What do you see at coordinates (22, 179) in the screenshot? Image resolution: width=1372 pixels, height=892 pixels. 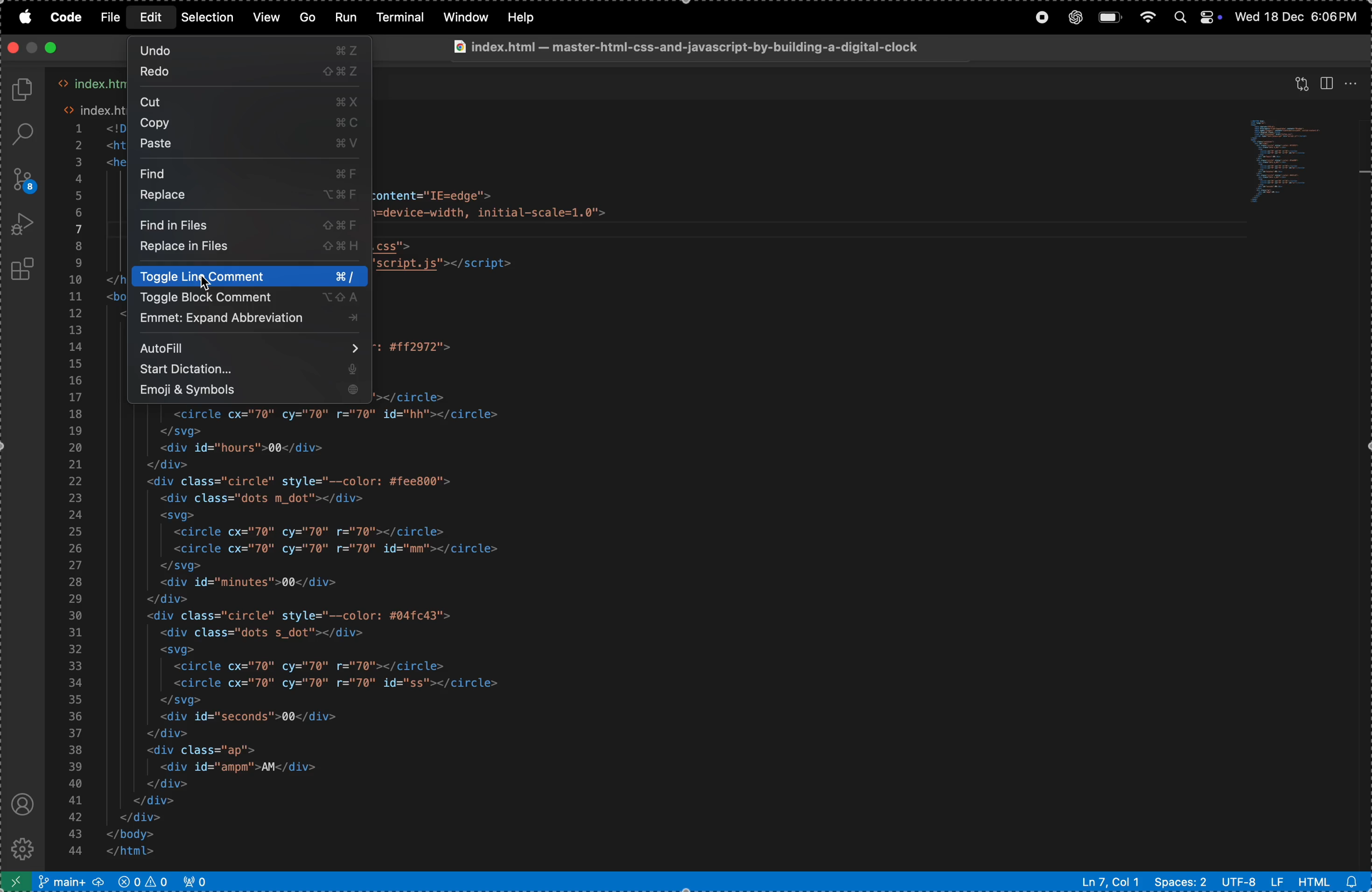 I see `source control` at bounding box center [22, 179].